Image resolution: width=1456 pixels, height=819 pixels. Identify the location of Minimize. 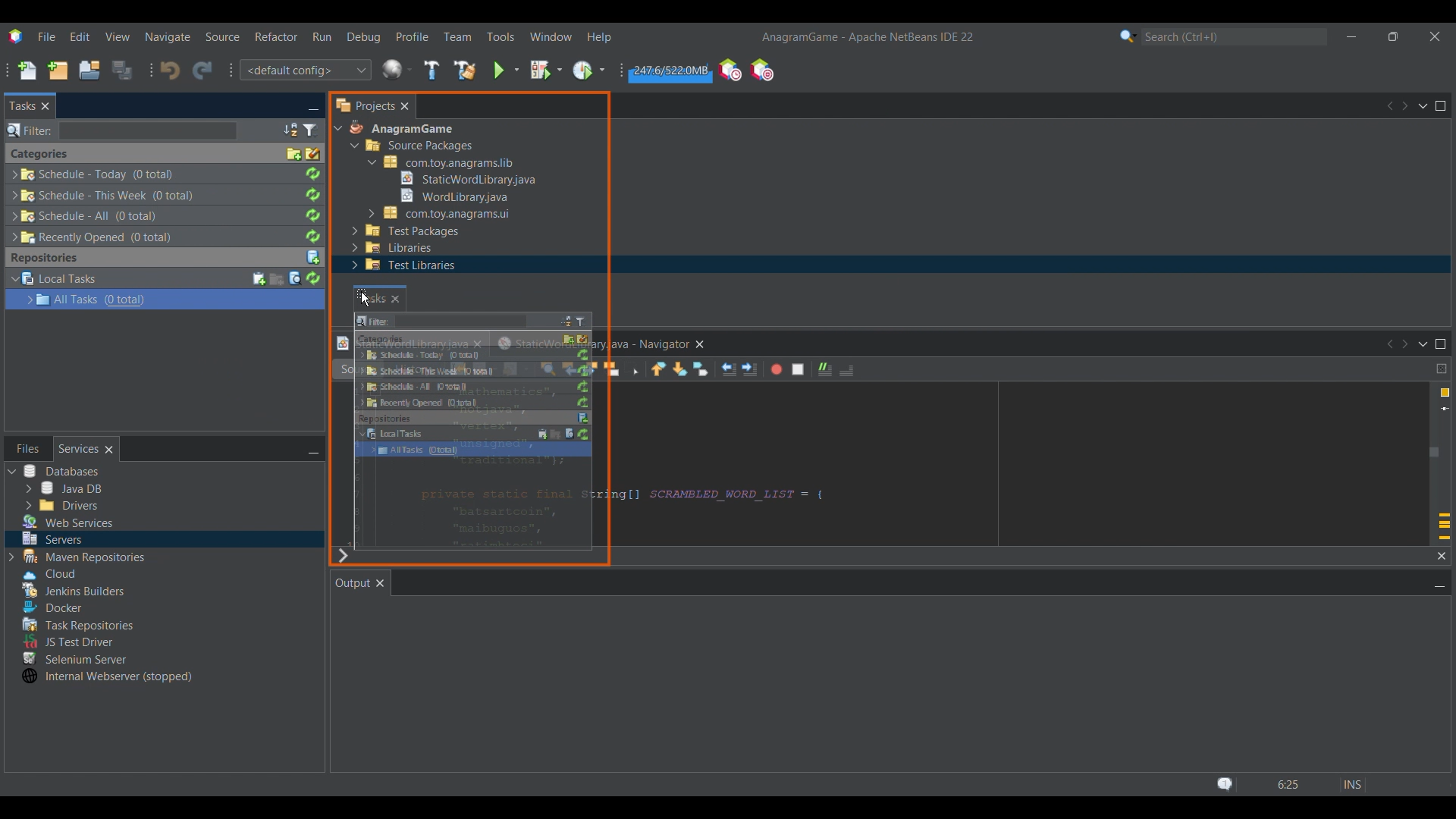
(313, 450).